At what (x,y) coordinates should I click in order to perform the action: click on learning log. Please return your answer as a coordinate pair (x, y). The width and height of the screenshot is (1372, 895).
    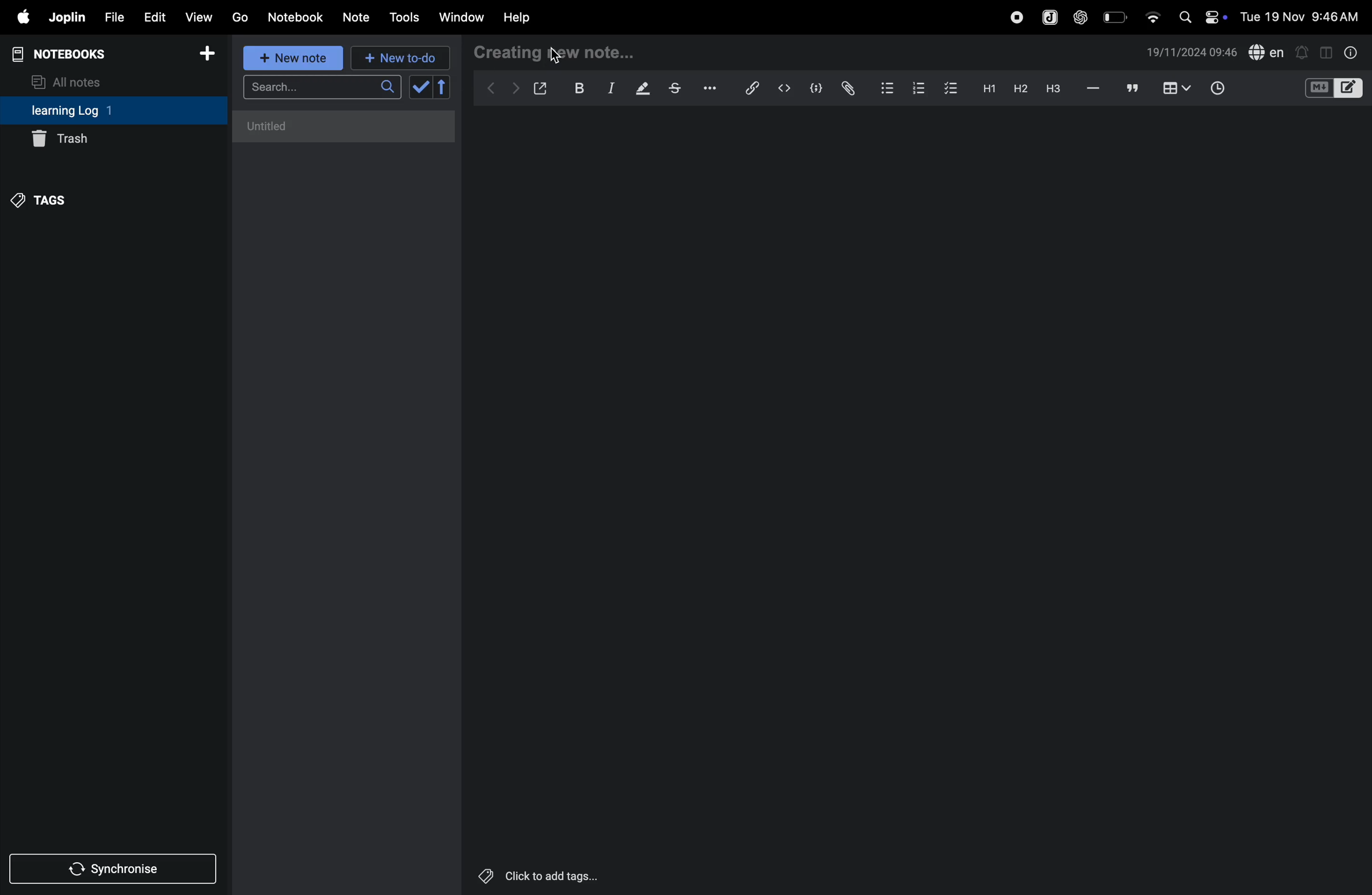
    Looking at the image, I should click on (88, 111).